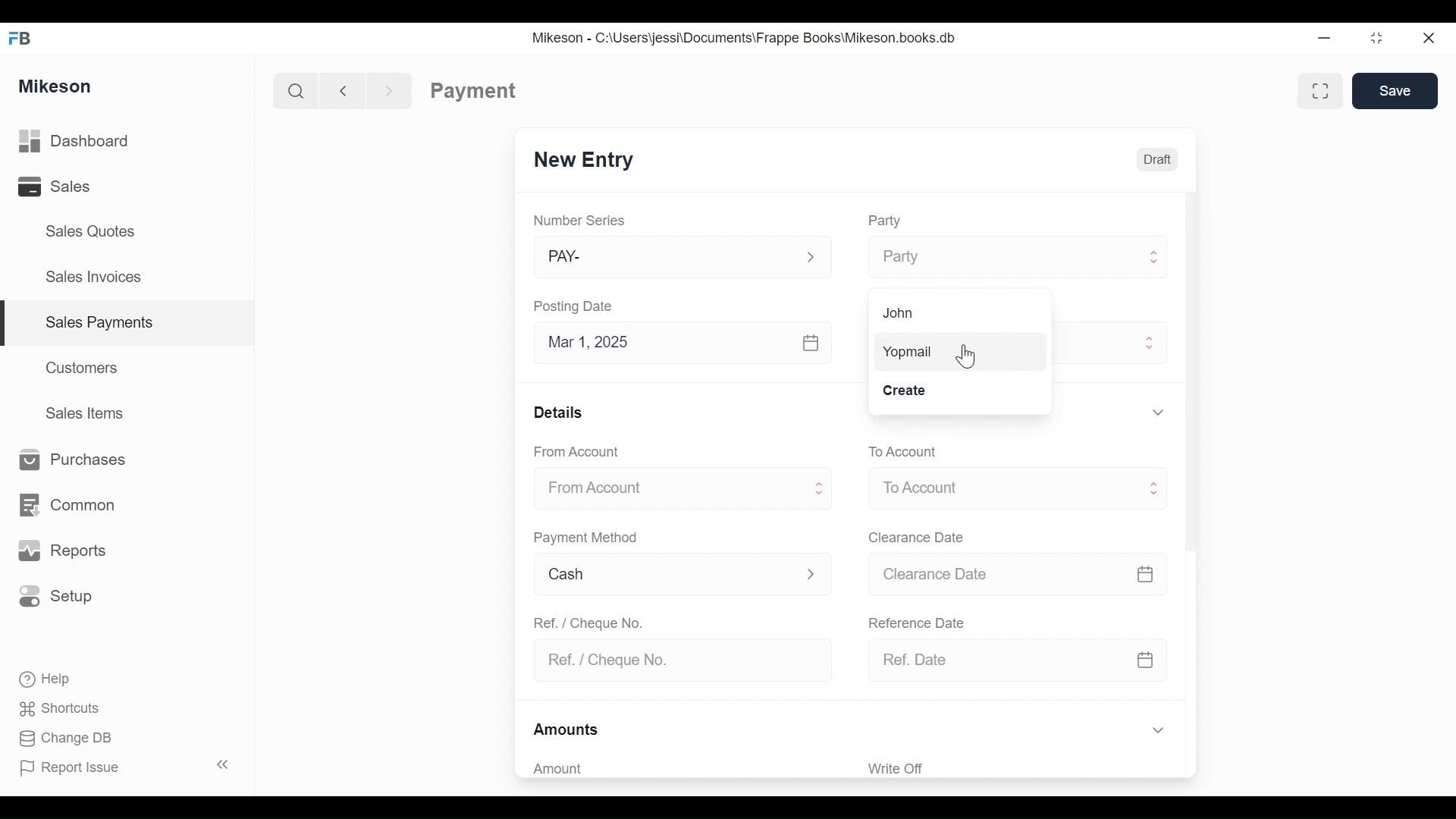  I want to click on From Account, so click(580, 451).